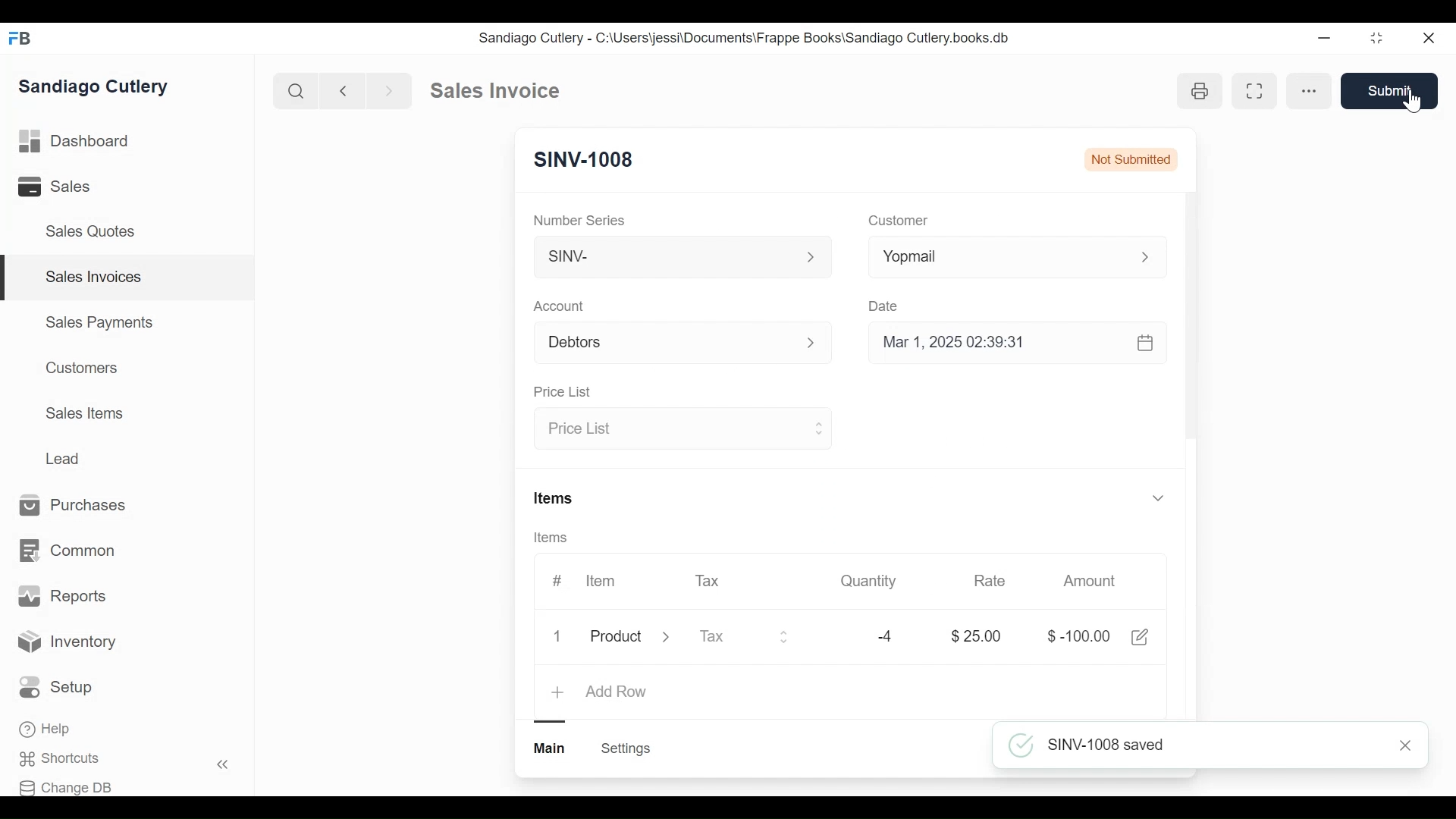  What do you see at coordinates (1130, 159) in the screenshot?
I see `Not submitted` at bounding box center [1130, 159].